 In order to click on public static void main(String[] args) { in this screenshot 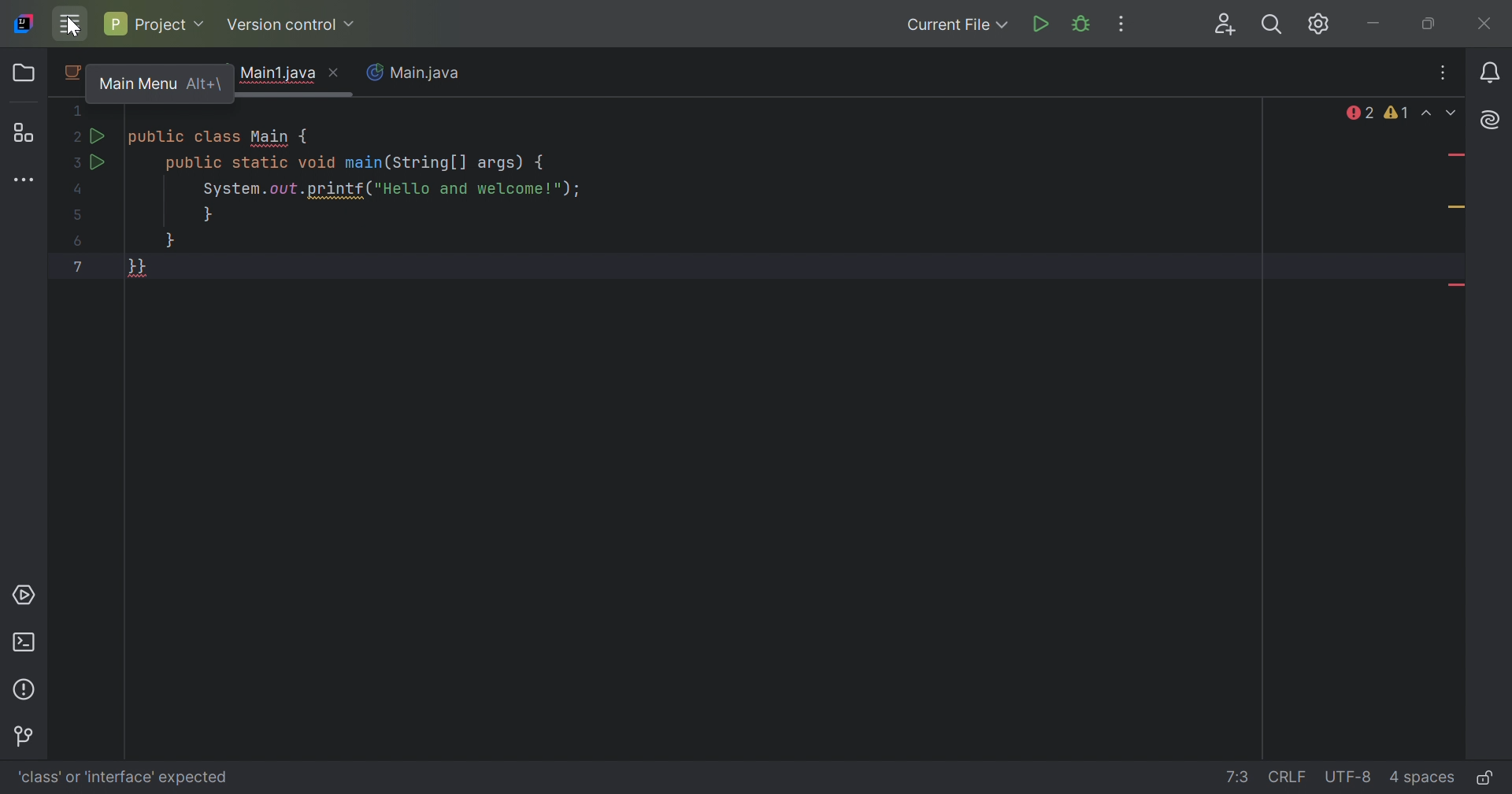, I will do `click(357, 165)`.